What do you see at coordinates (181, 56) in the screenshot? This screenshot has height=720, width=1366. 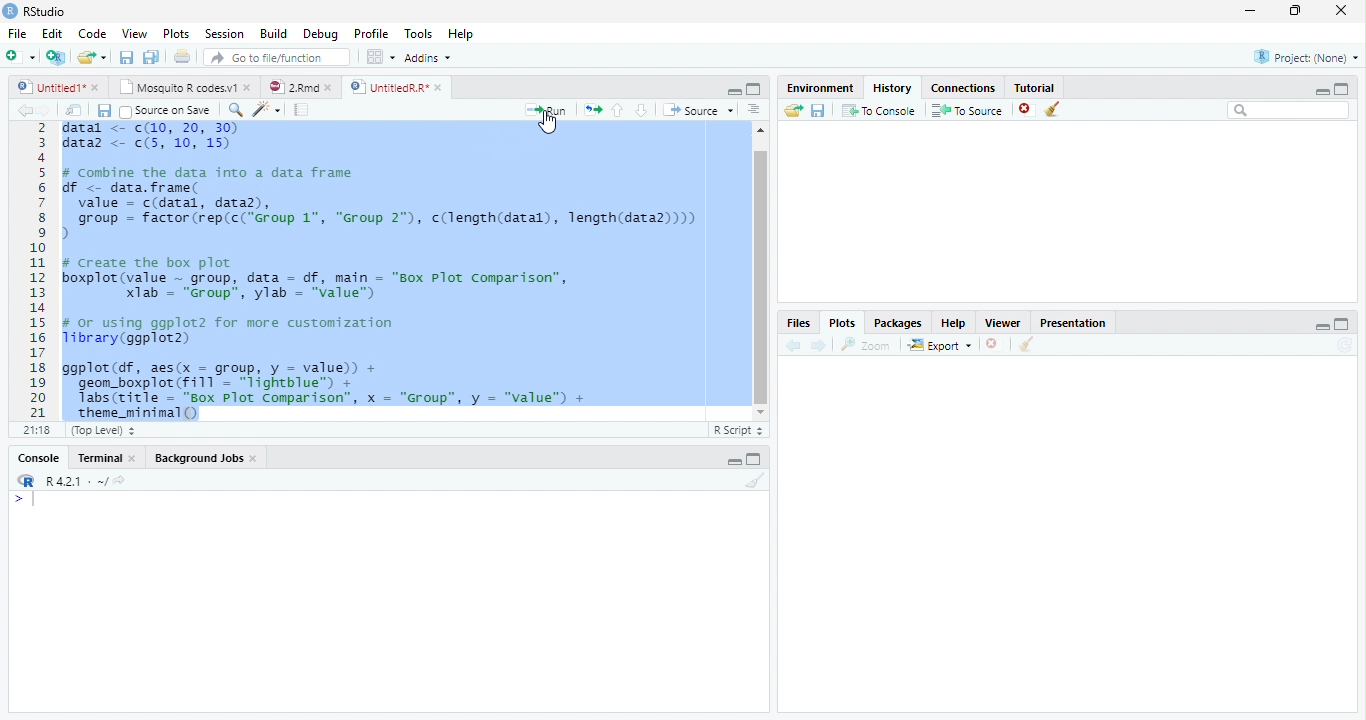 I see `Print the current file` at bounding box center [181, 56].